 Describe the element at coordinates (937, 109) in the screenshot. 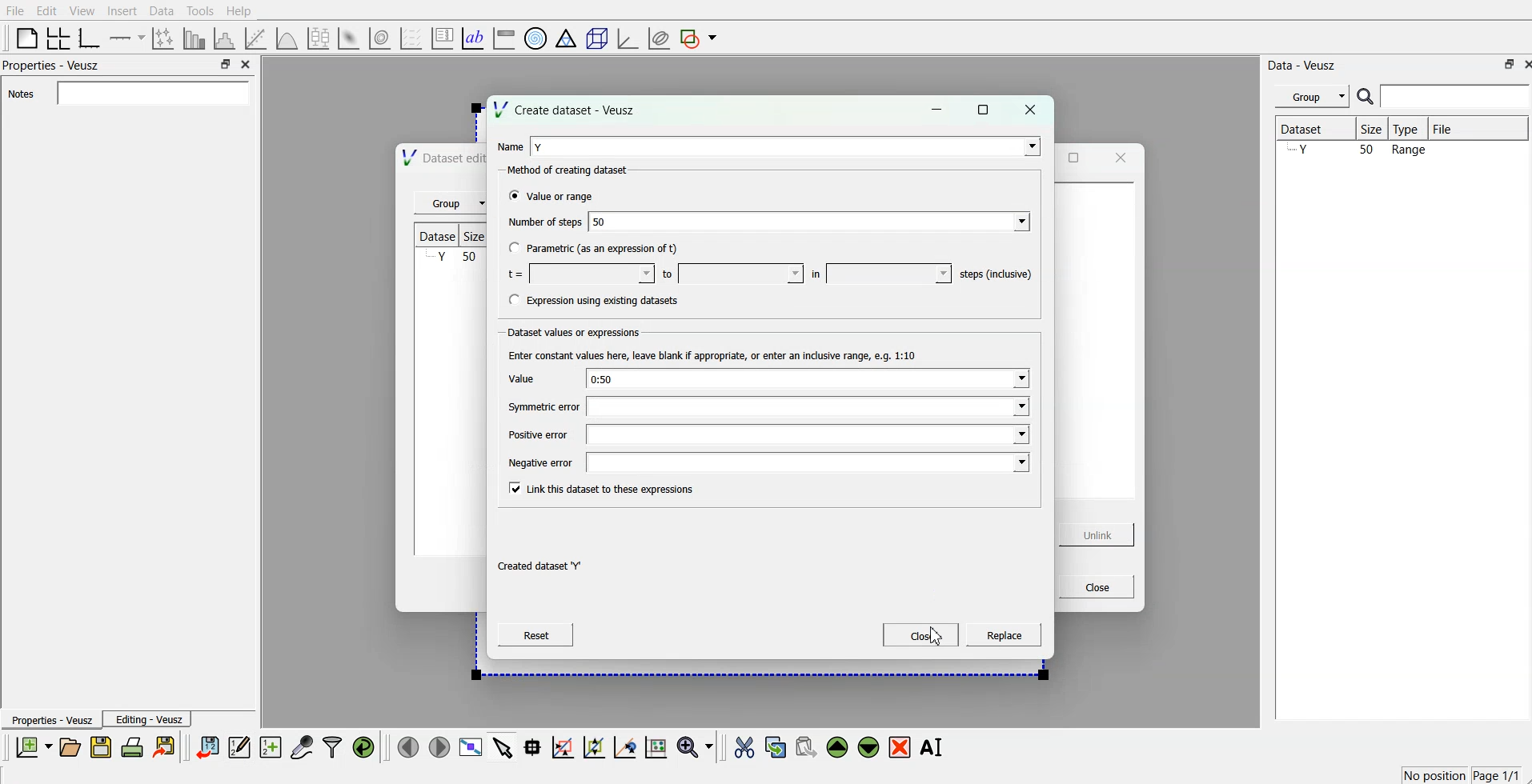

I see `minimise` at that location.